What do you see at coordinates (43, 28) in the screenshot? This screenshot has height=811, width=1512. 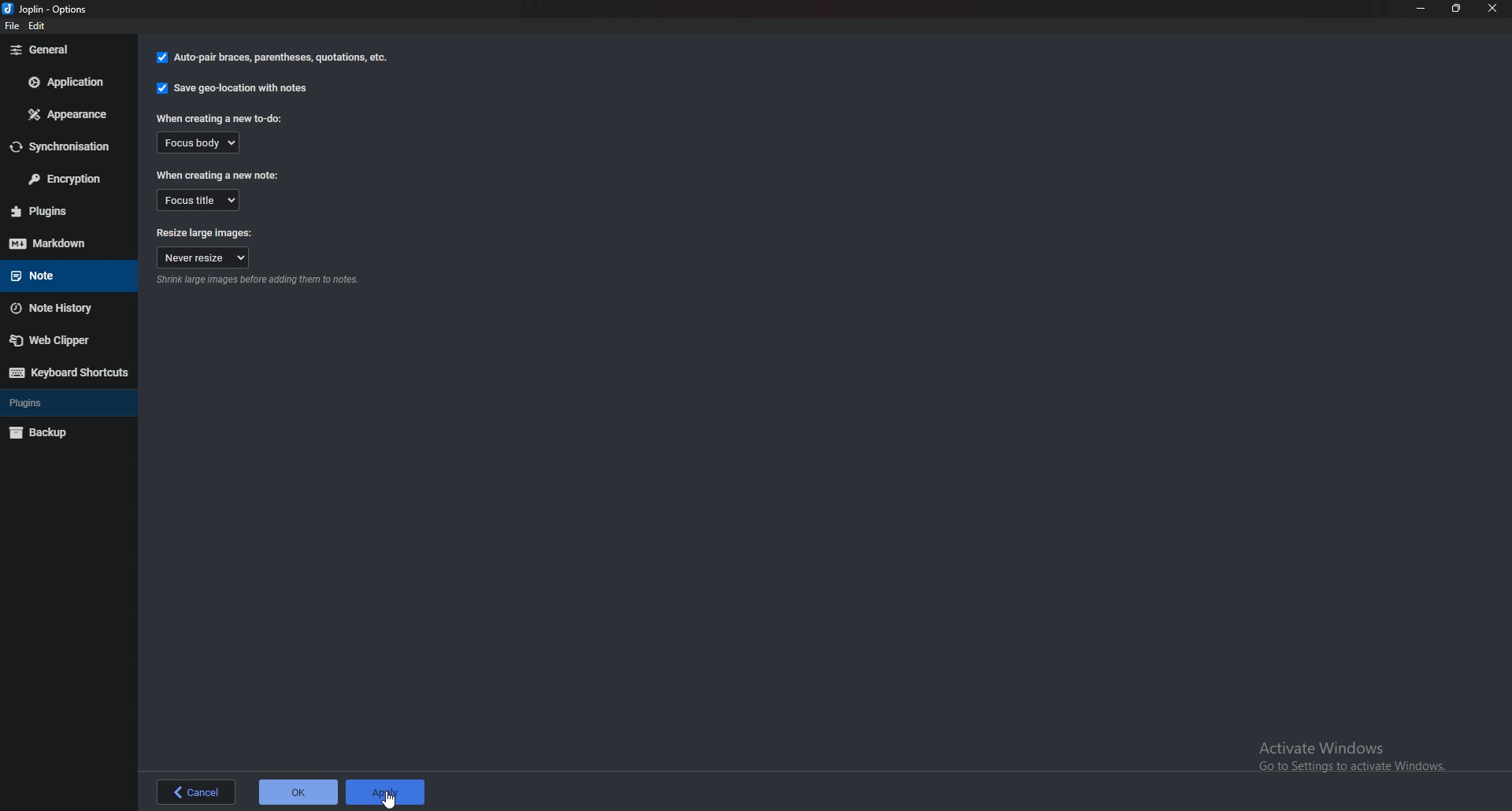 I see `edit` at bounding box center [43, 28].